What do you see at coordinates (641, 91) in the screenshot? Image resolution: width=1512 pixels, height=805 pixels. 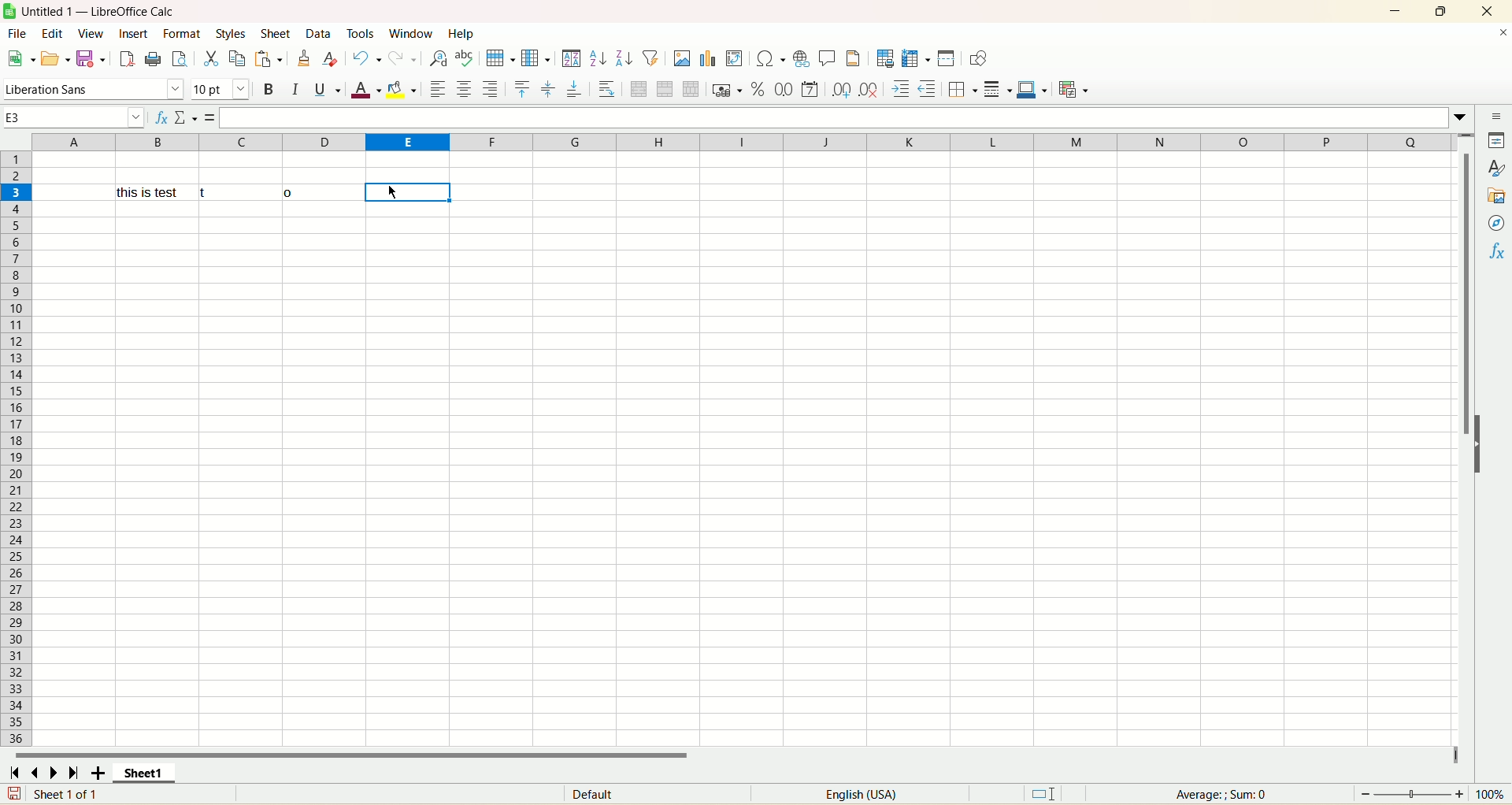 I see `merge and center cell` at bounding box center [641, 91].